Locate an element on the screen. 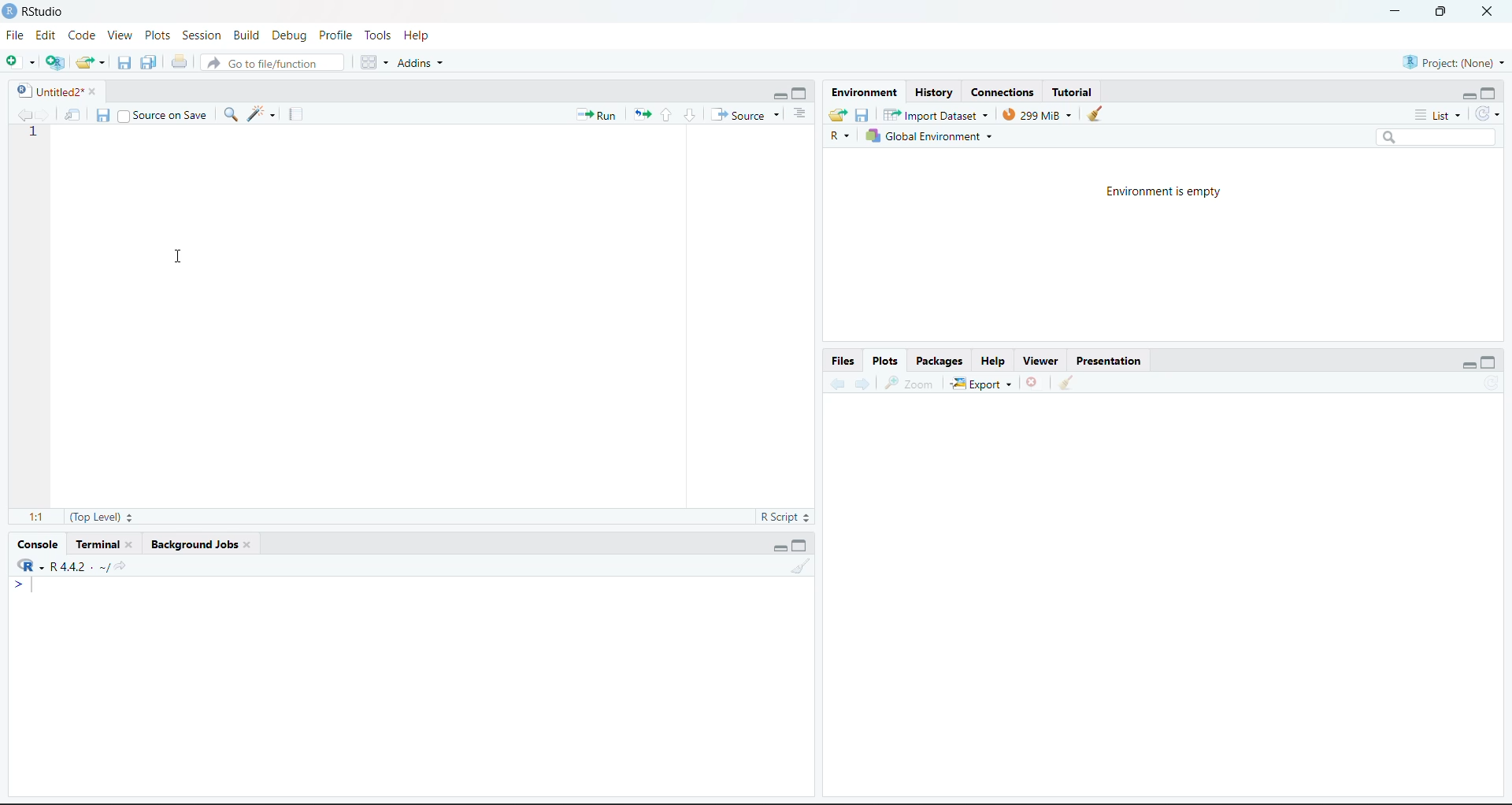 The height and width of the screenshot is (805, 1512). previous plot is located at coordinates (837, 381).